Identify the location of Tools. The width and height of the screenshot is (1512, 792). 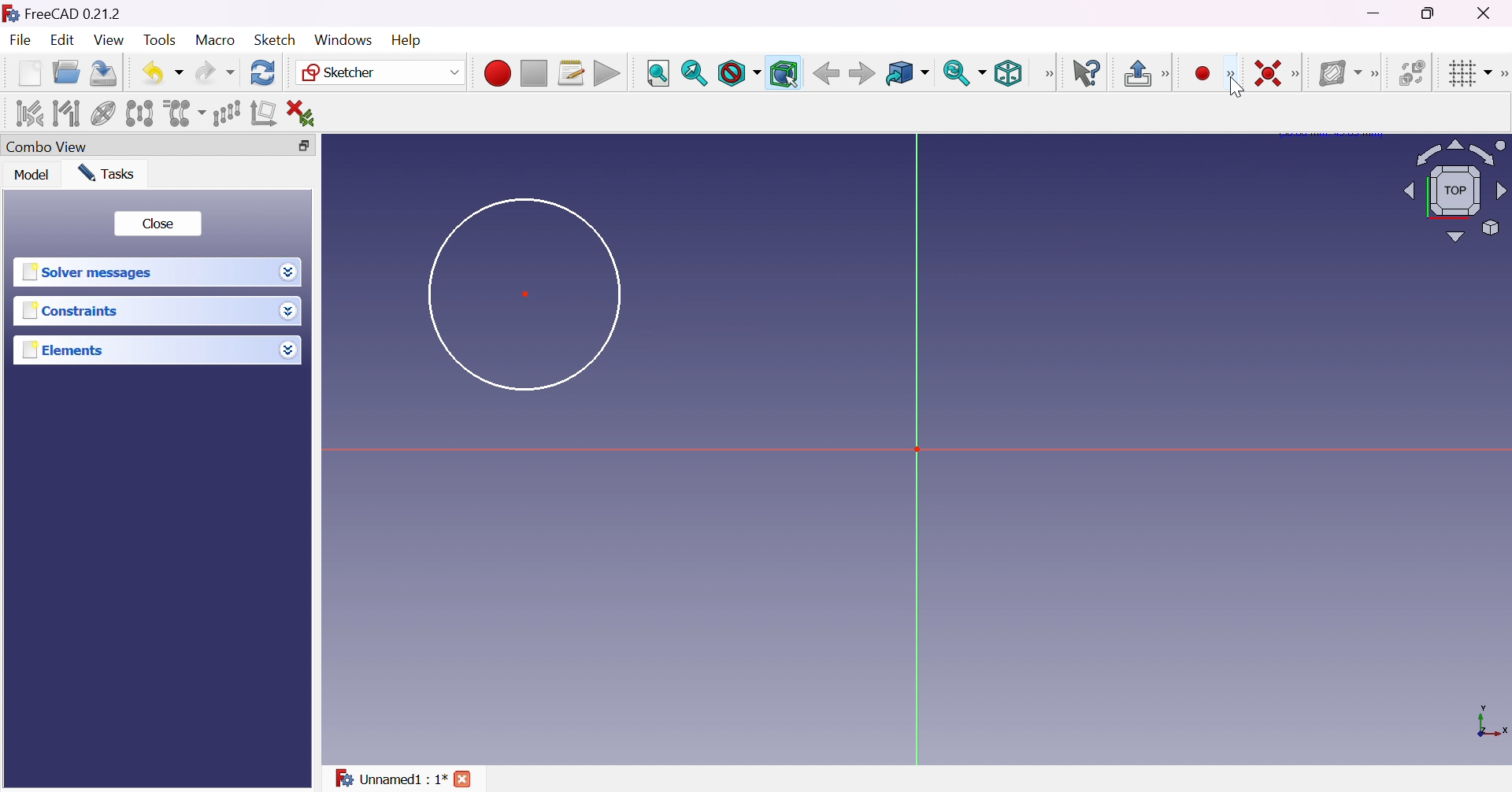
(161, 40).